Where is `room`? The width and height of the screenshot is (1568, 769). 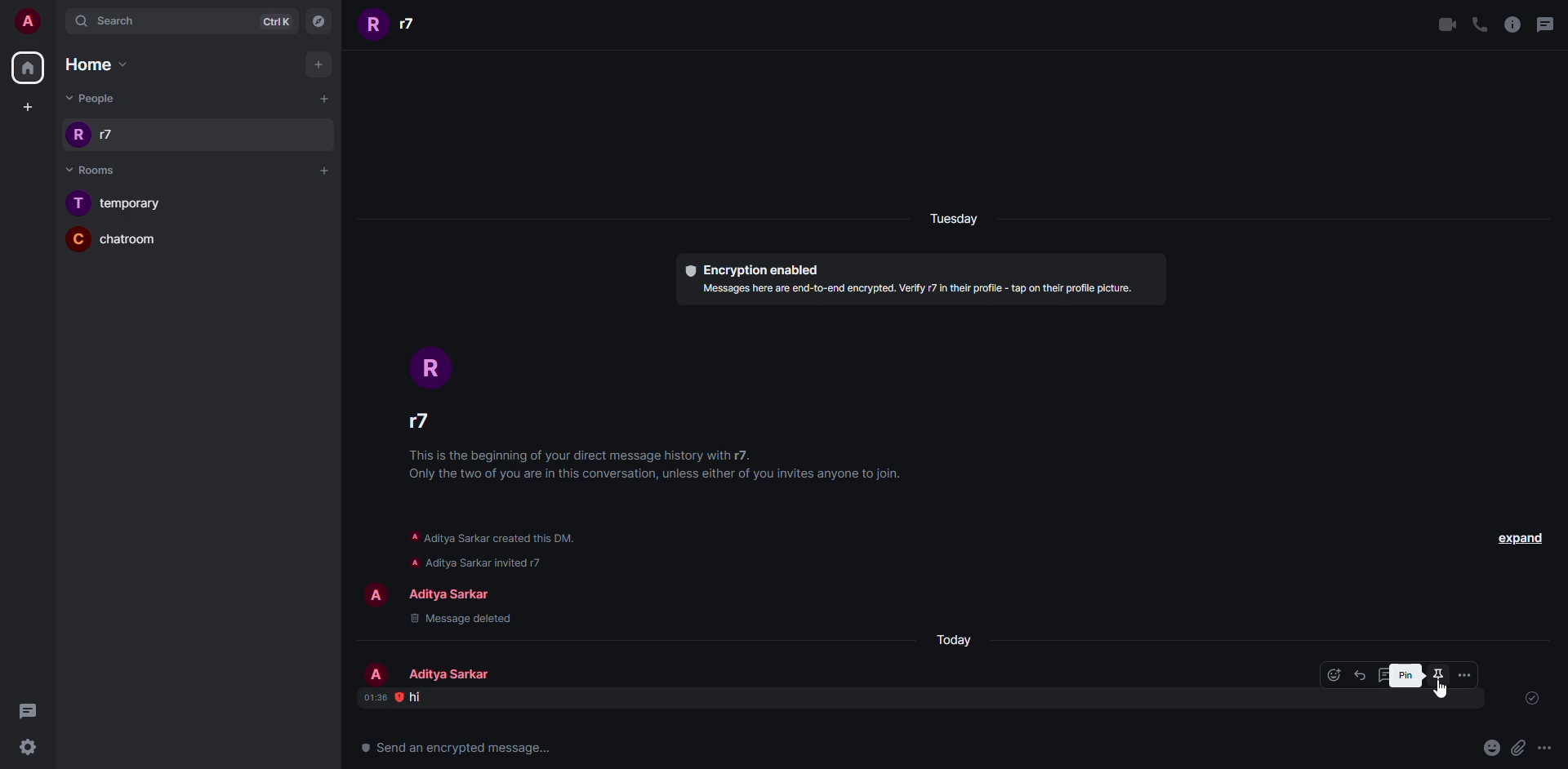 room is located at coordinates (120, 204).